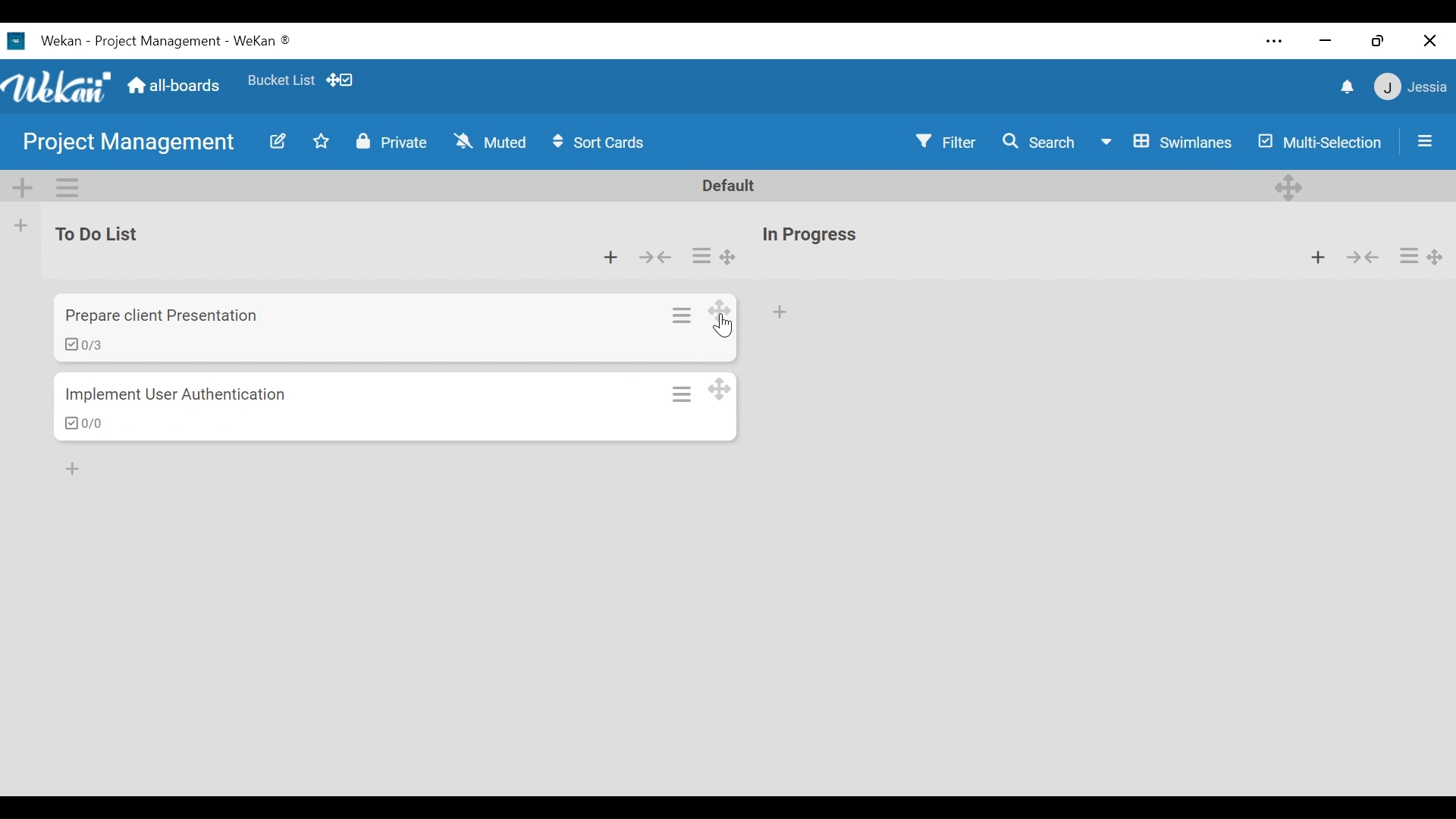 This screenshot has width=1456, height=819. What do you see at coordinates (682, 315) in the screenshot?
I see `card actions` at bounding box center [682, 315].